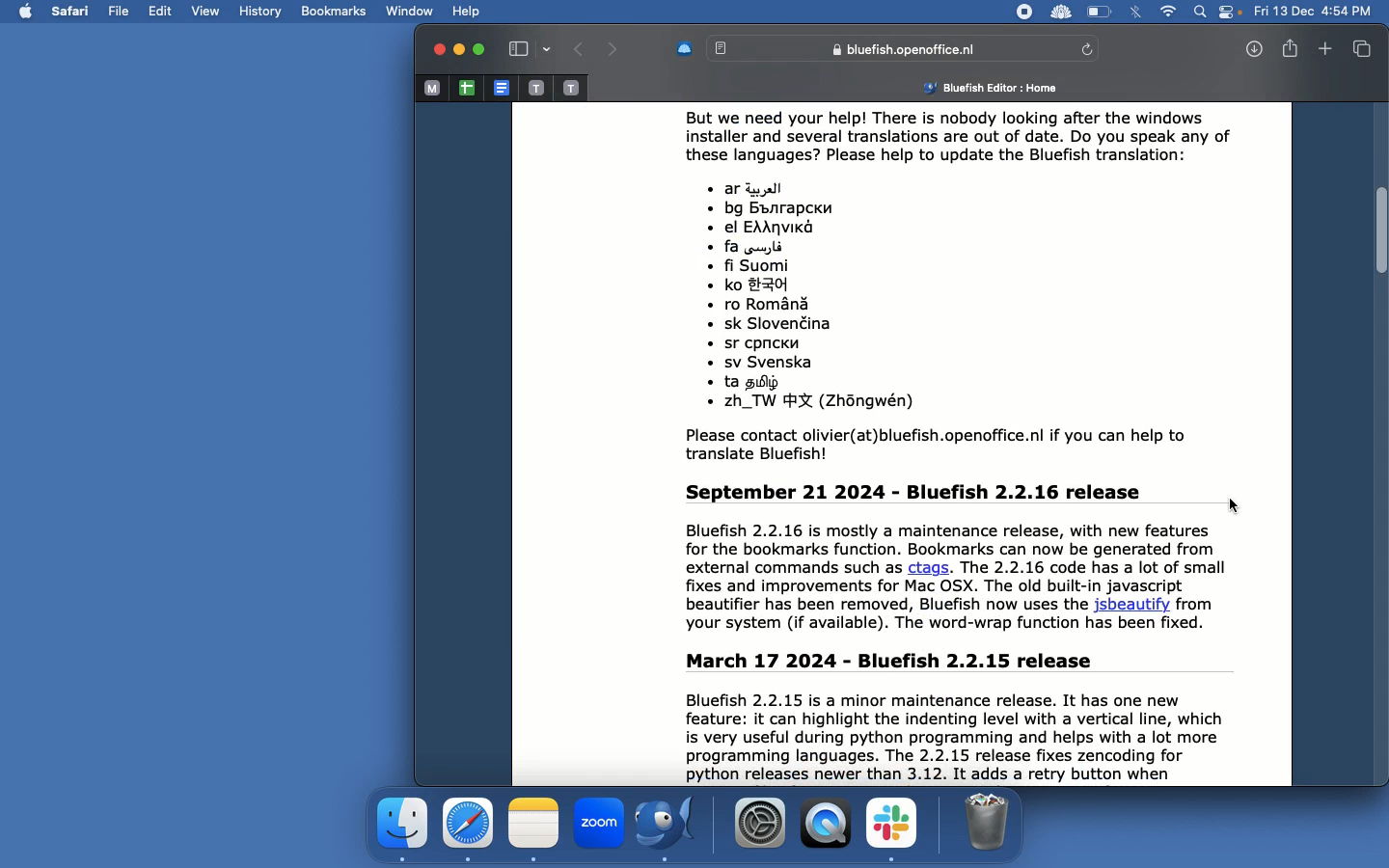 The width and height of the screenshot is (1389, 868). I want to click on Bluefish search, so click(890, 48).